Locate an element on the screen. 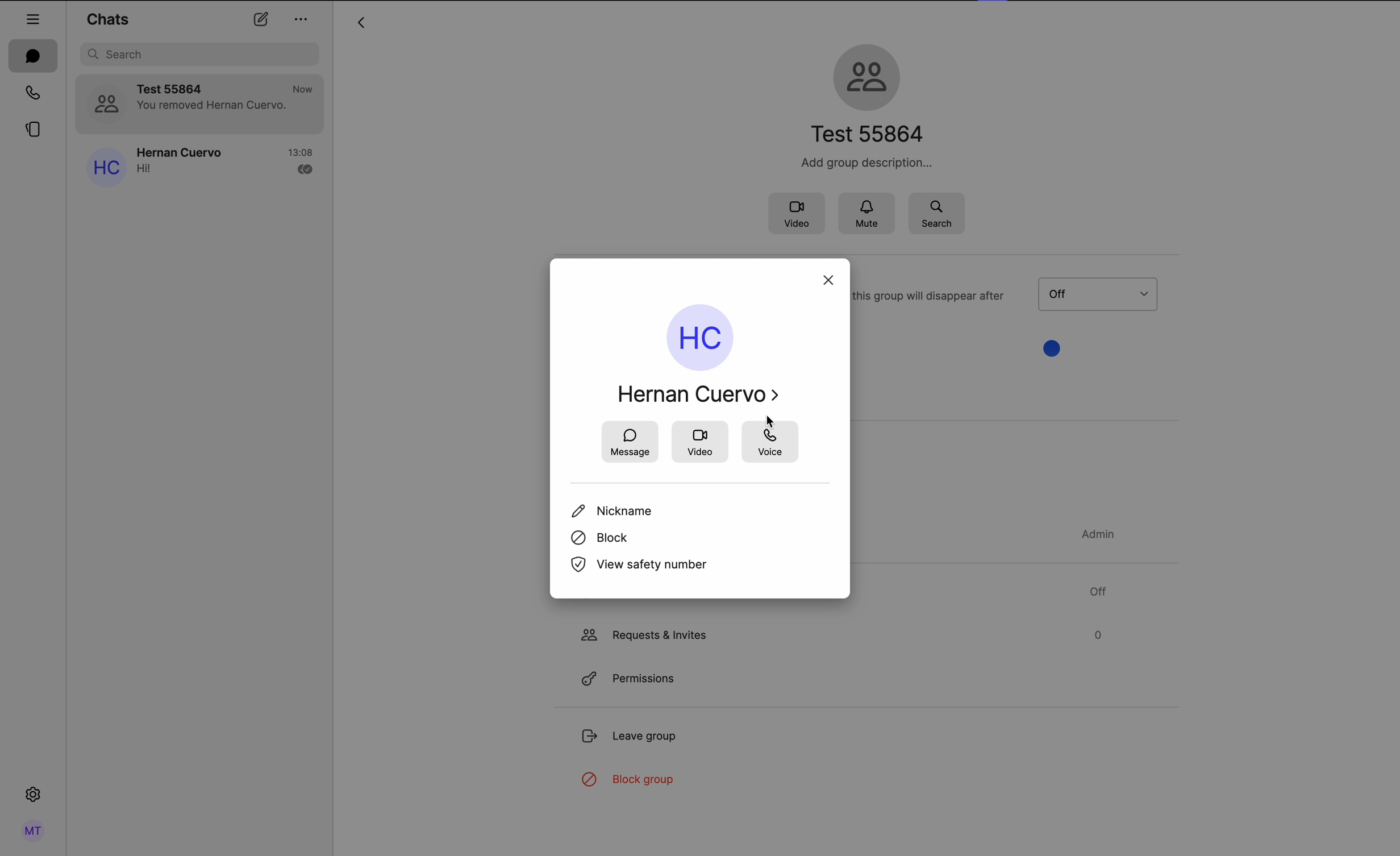  search bar is located at coordinates (202, 54).